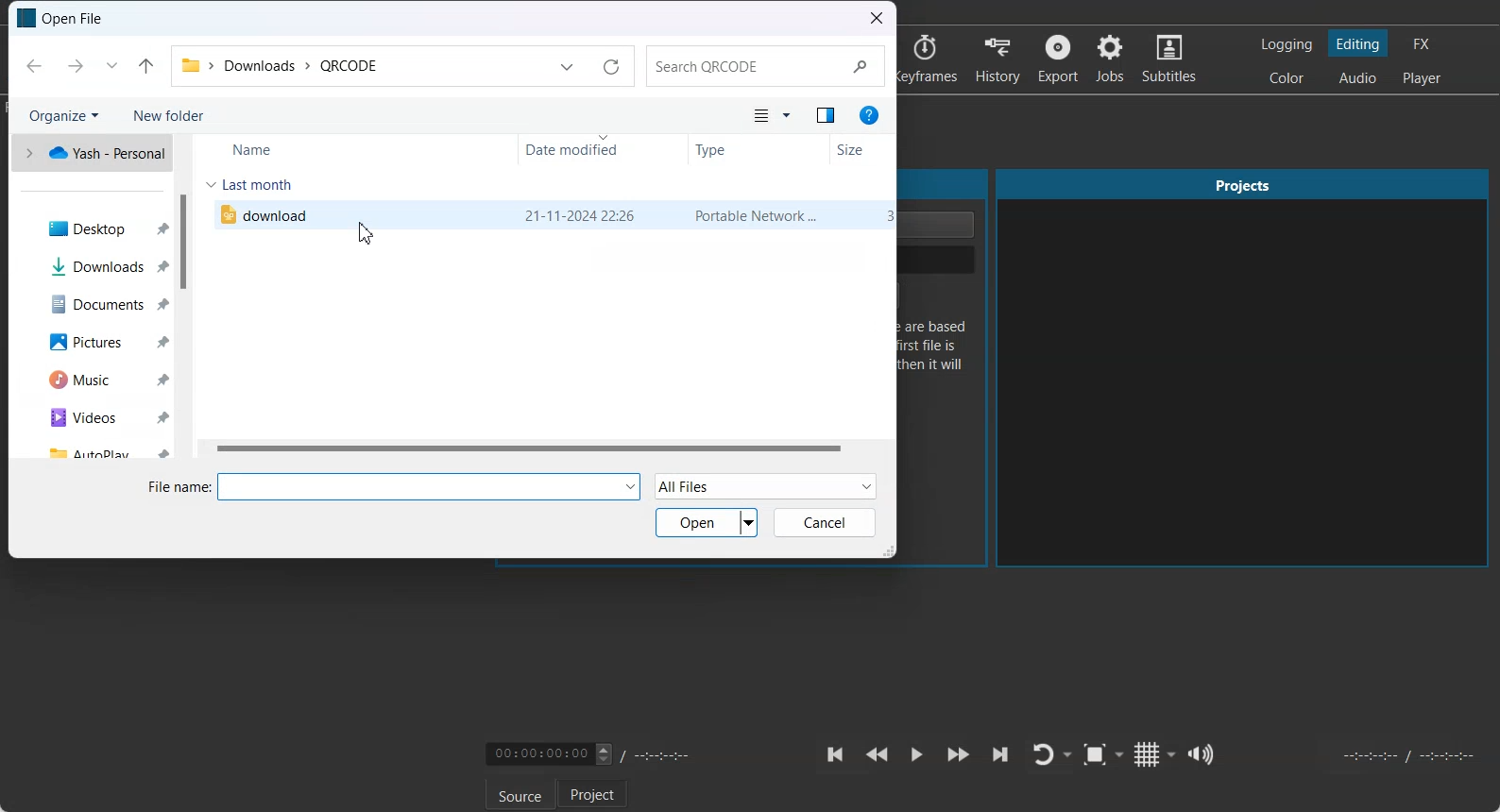 The height and width of the screenshot is (812, 1500). What do you see at coordinates (1358, 44) in the screenshot?
I see `Switching to the Editing layout` at bounding box center [1358, 44].